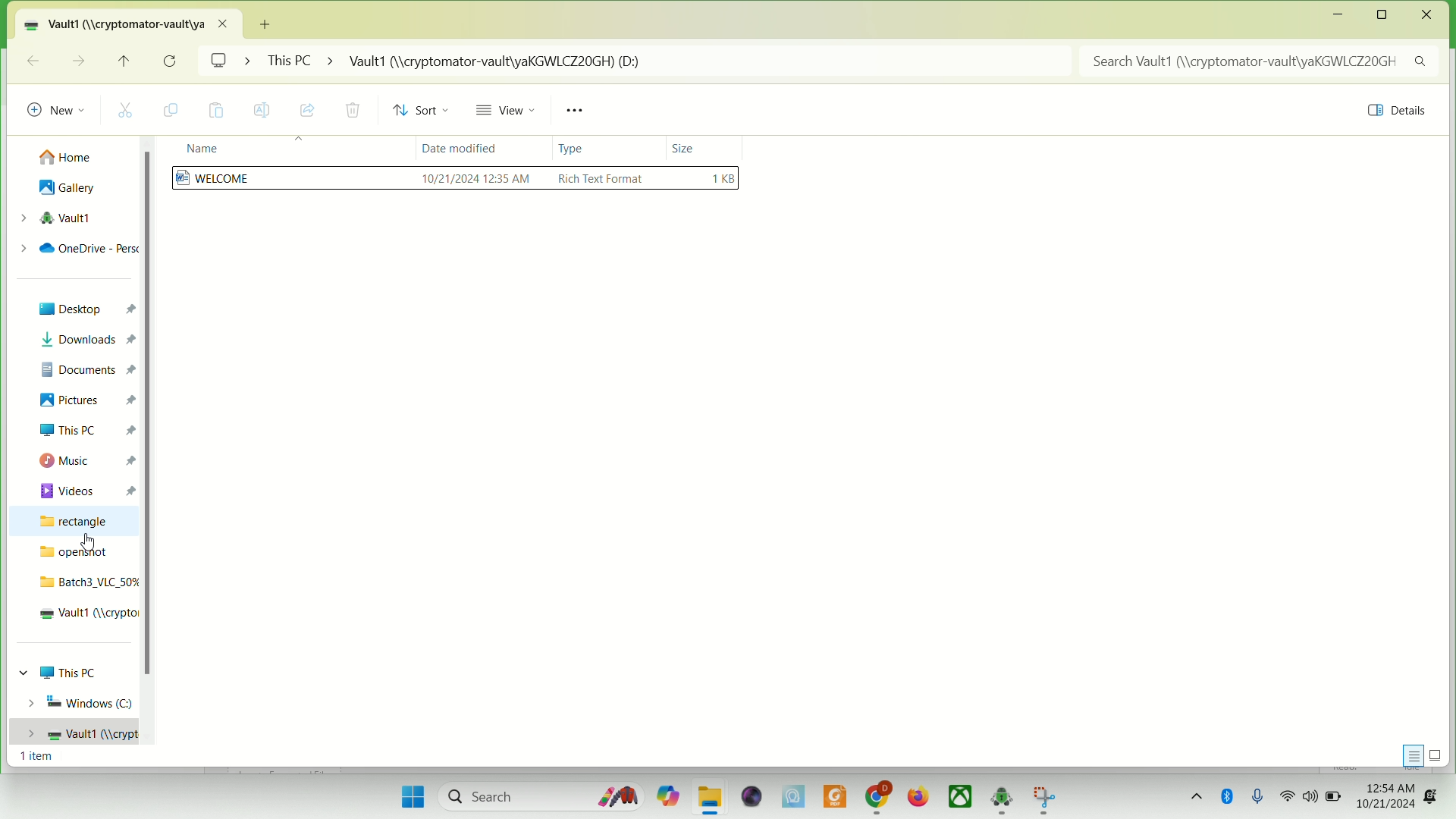  Describe the element at coordinates (833, 795) in the screenshot. I see `PDF` at that location.